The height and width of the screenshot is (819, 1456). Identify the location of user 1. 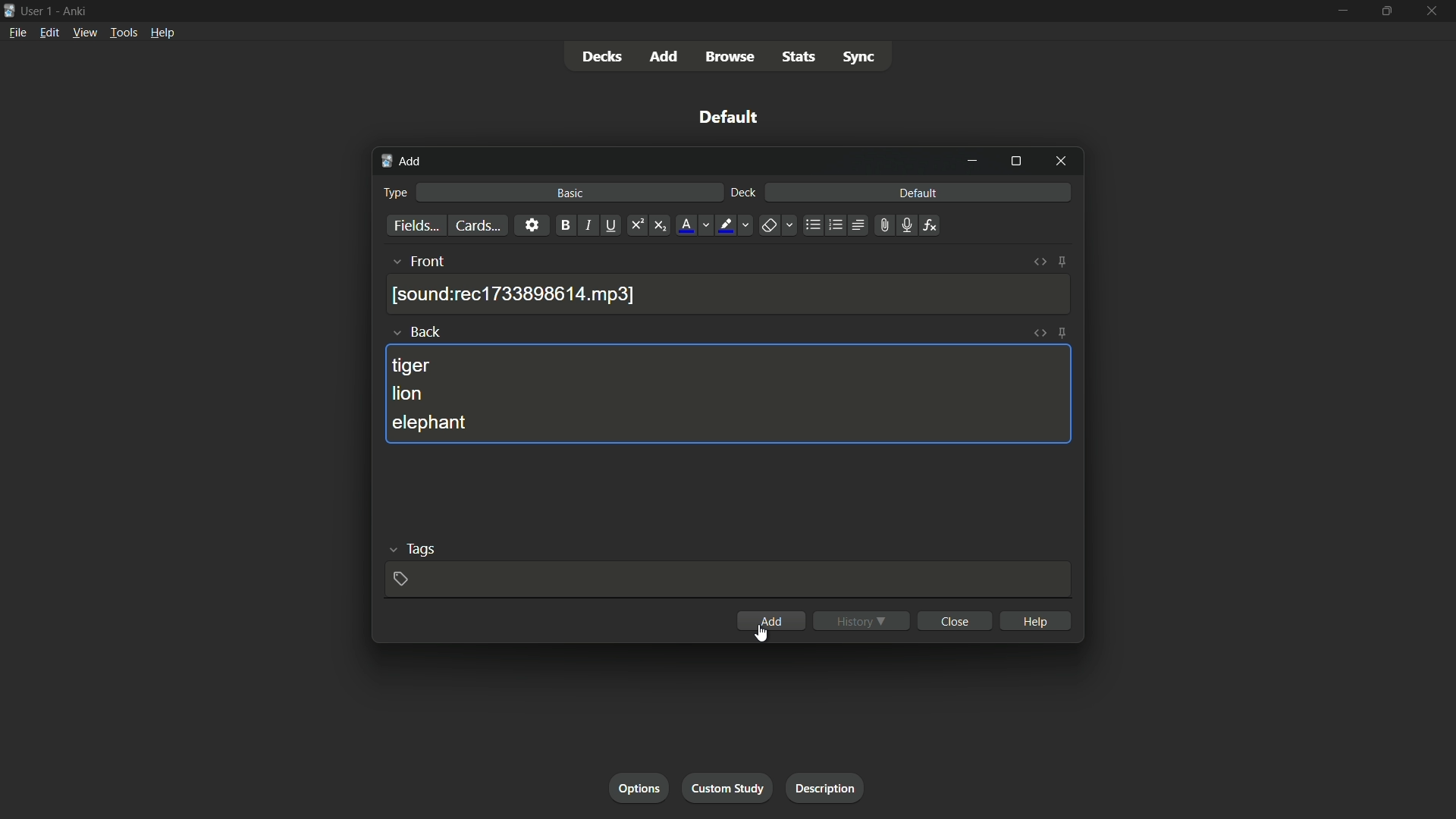
(38, 10).